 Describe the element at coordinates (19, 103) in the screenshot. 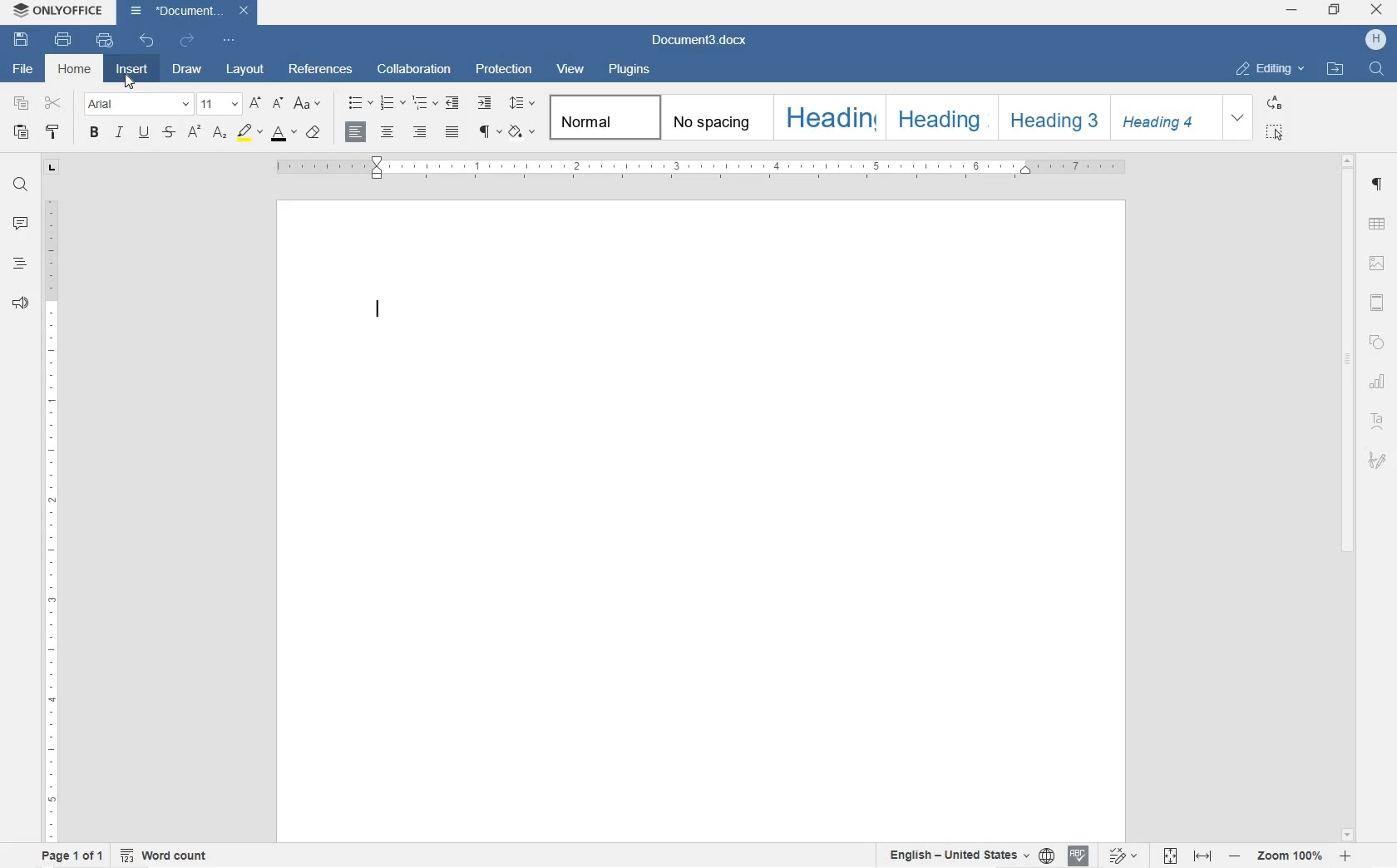

I see `COPY` at that location.